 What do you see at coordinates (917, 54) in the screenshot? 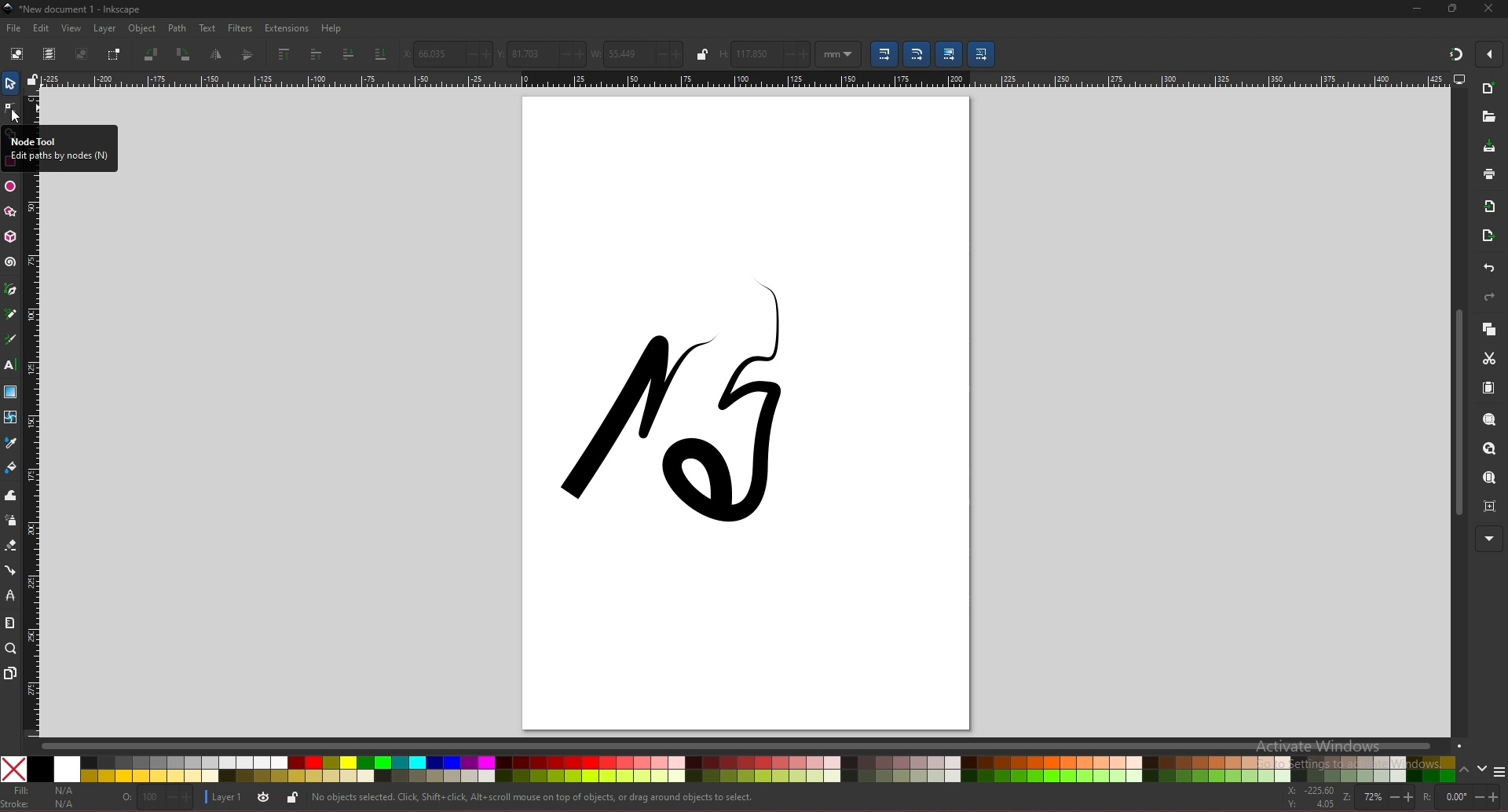
I see `scale radii` at bounding box center [917, 54].